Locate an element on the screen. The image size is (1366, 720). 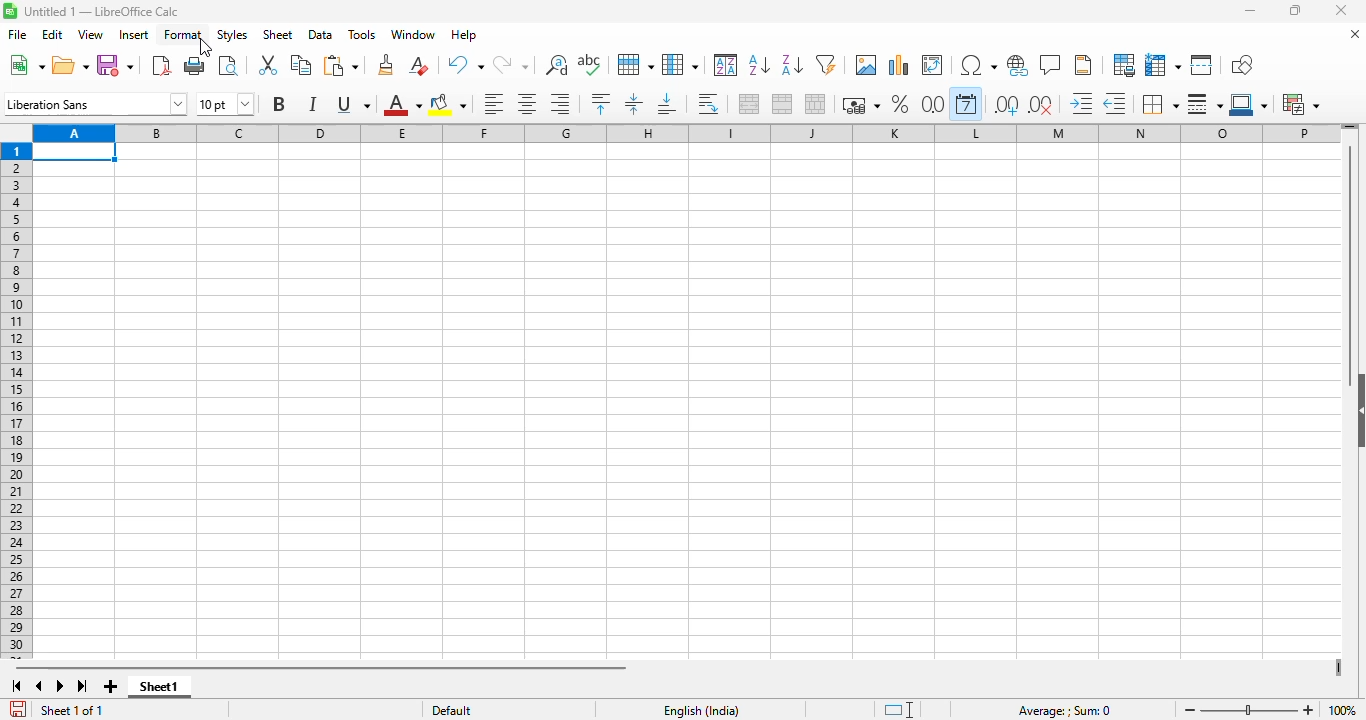
columns is located at coordinates (686, 133).